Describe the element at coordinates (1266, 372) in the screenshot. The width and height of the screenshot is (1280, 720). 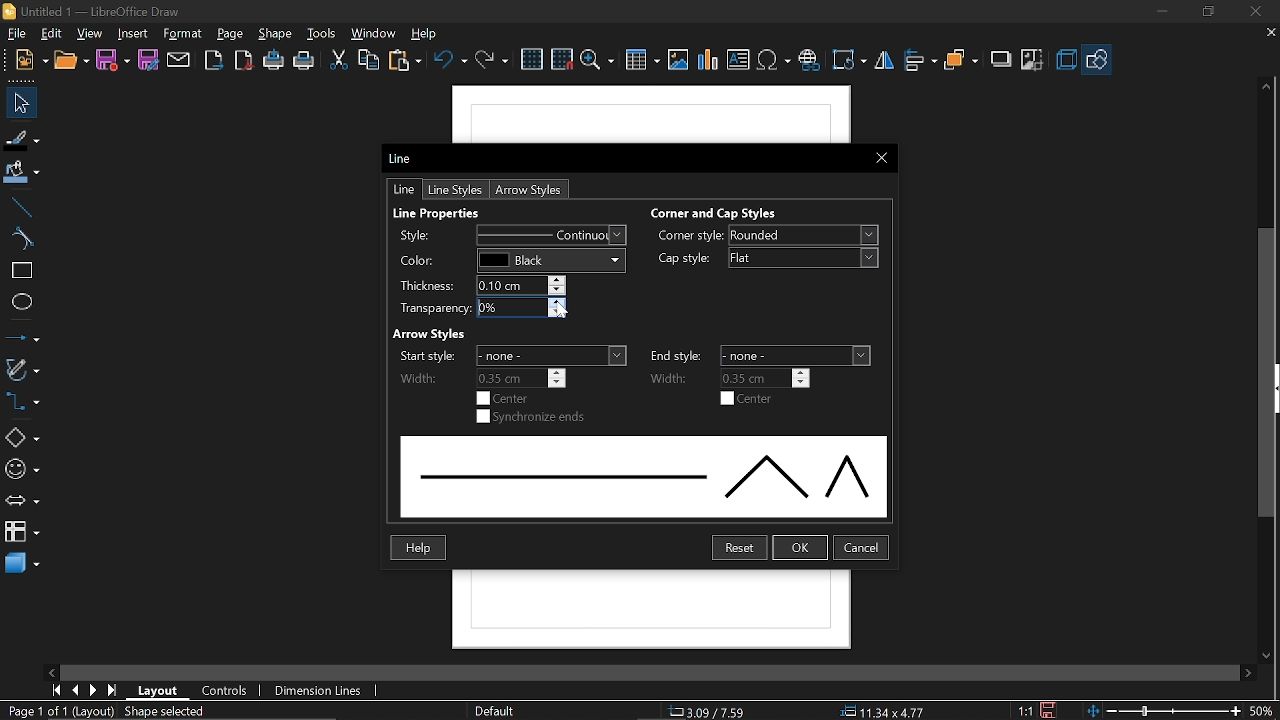
I see `vertical scrollbar` at that location.